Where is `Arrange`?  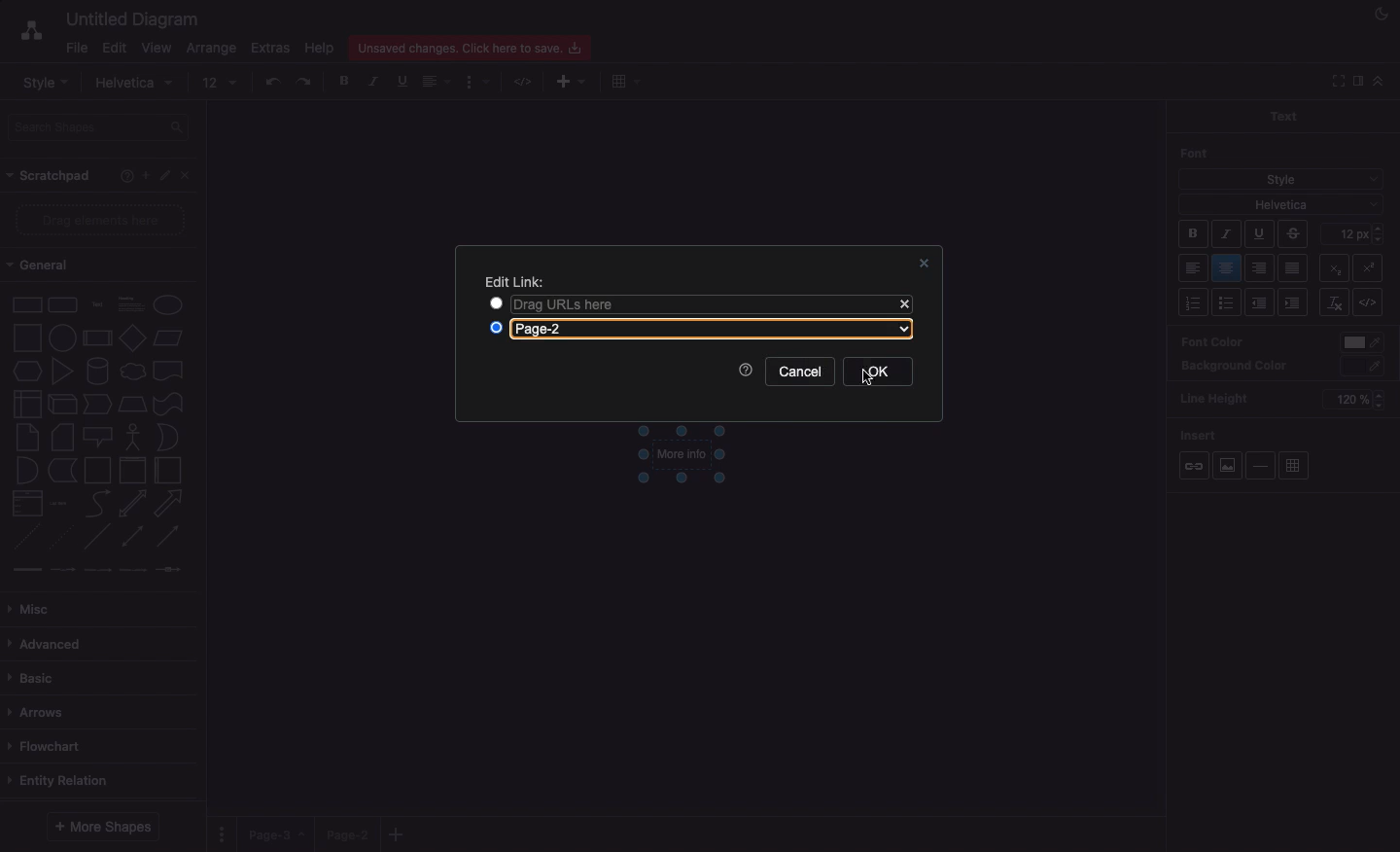 Arrange is located at coordinates (208, 49).